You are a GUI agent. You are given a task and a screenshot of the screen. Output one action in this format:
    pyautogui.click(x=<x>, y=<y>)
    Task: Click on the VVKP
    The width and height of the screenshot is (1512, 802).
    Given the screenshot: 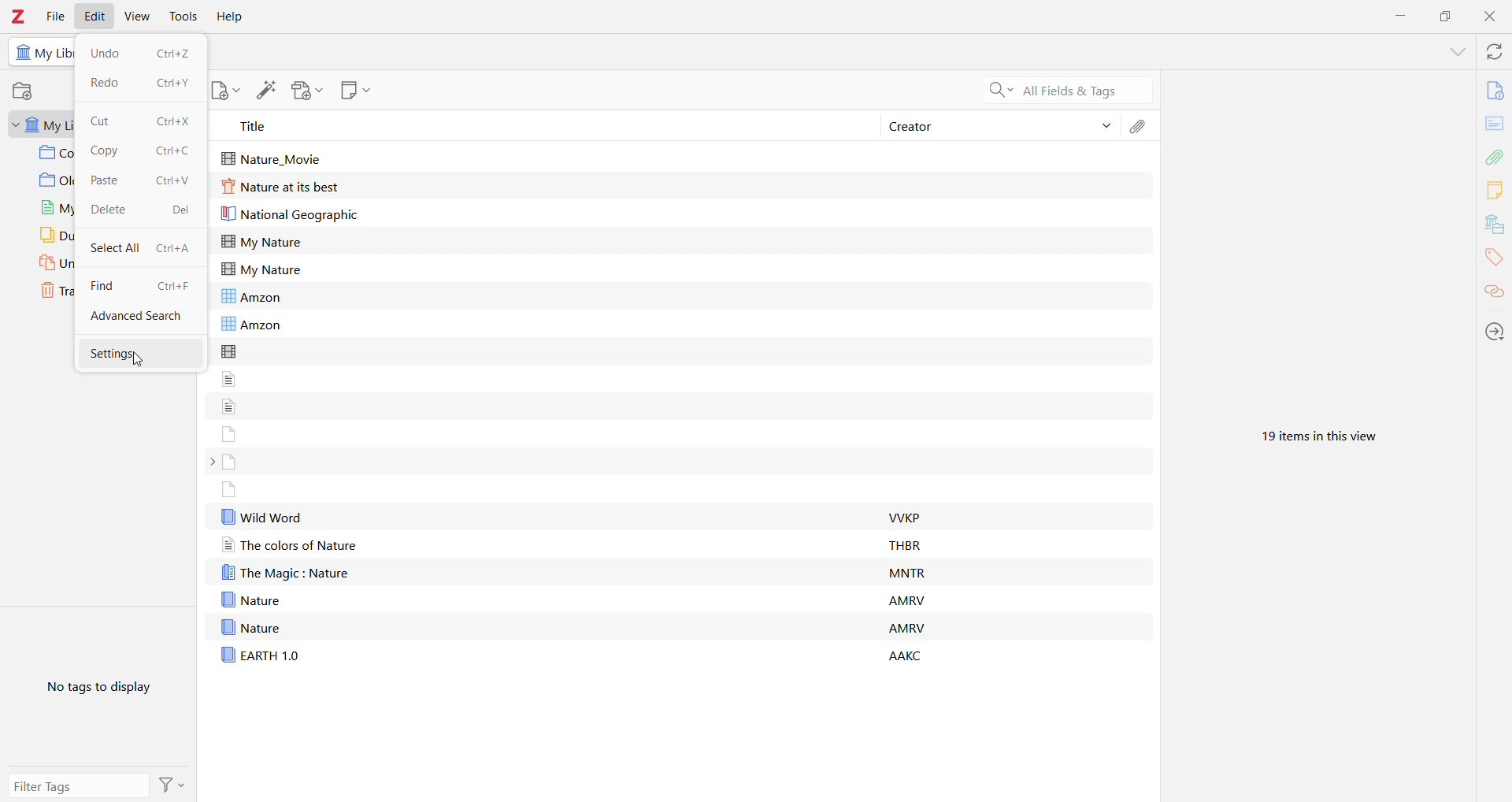 What is the action you would take?
    pyautogui.click(x=909, y=520)
    